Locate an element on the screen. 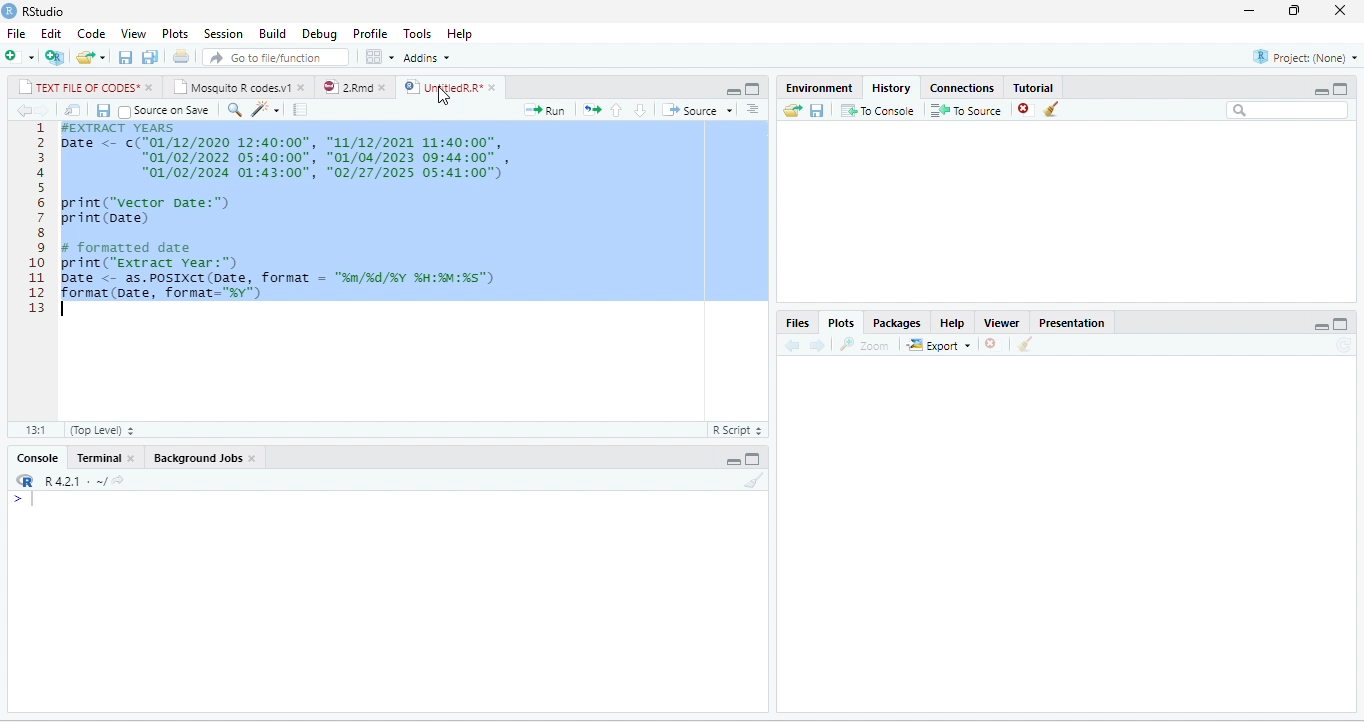 This screenshot has width=1364, height=722. cursor is located at coordinates (443, 95).